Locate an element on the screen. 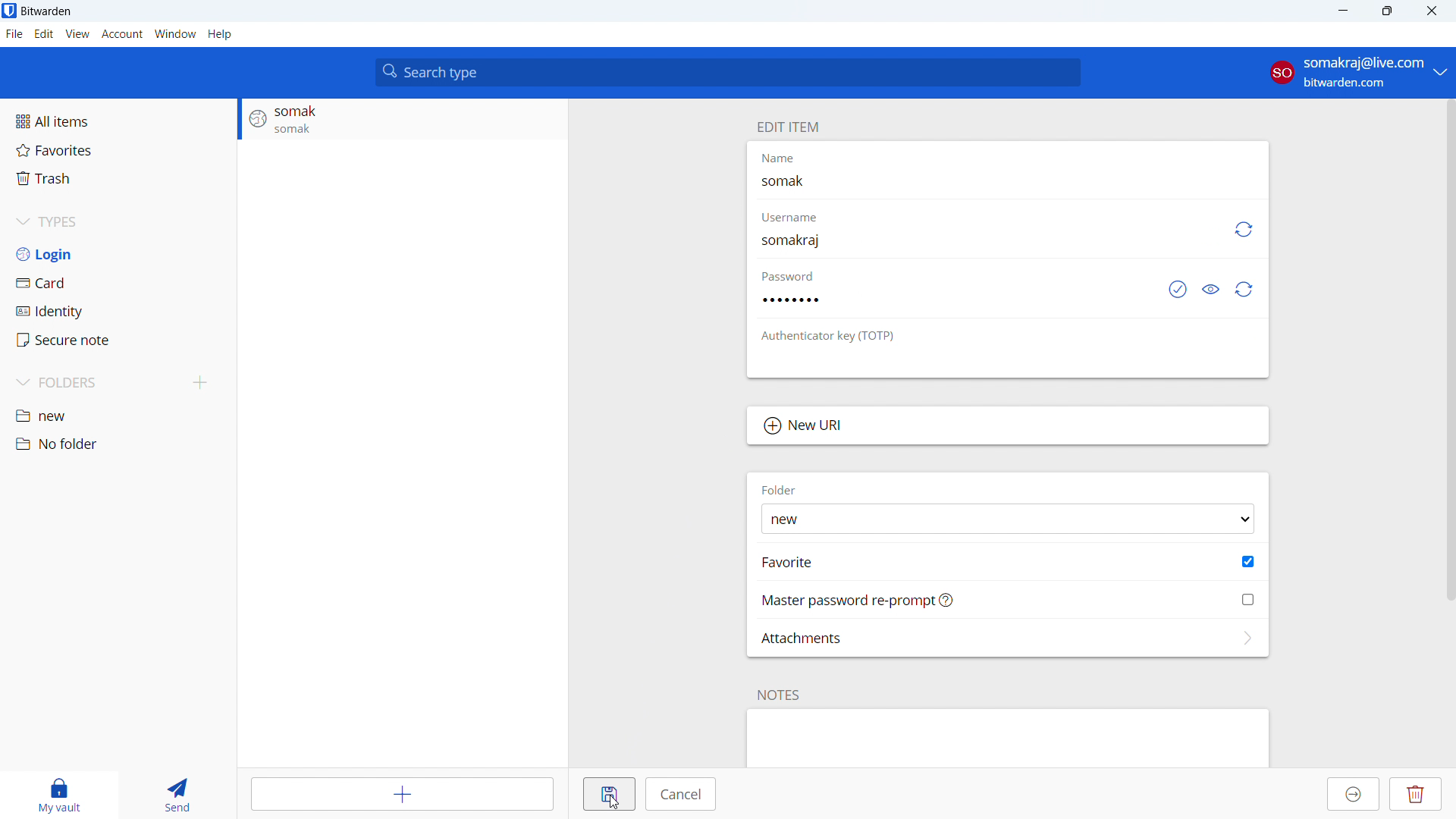 The width and height of the screenshot is (1456, 819). folders is located at coordinates (94, 383).